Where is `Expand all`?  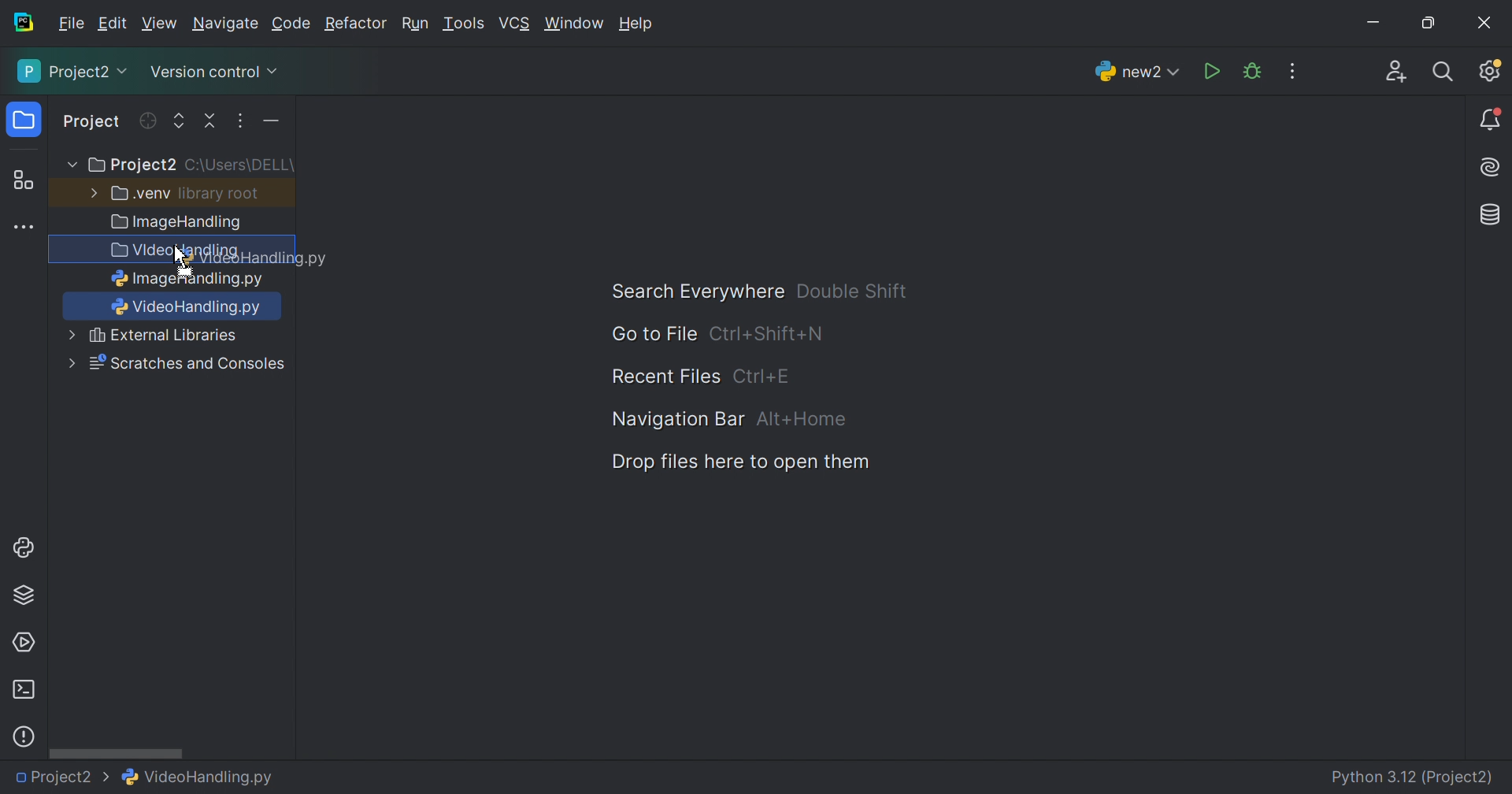
Expand all is located at coordinates (180, 122).